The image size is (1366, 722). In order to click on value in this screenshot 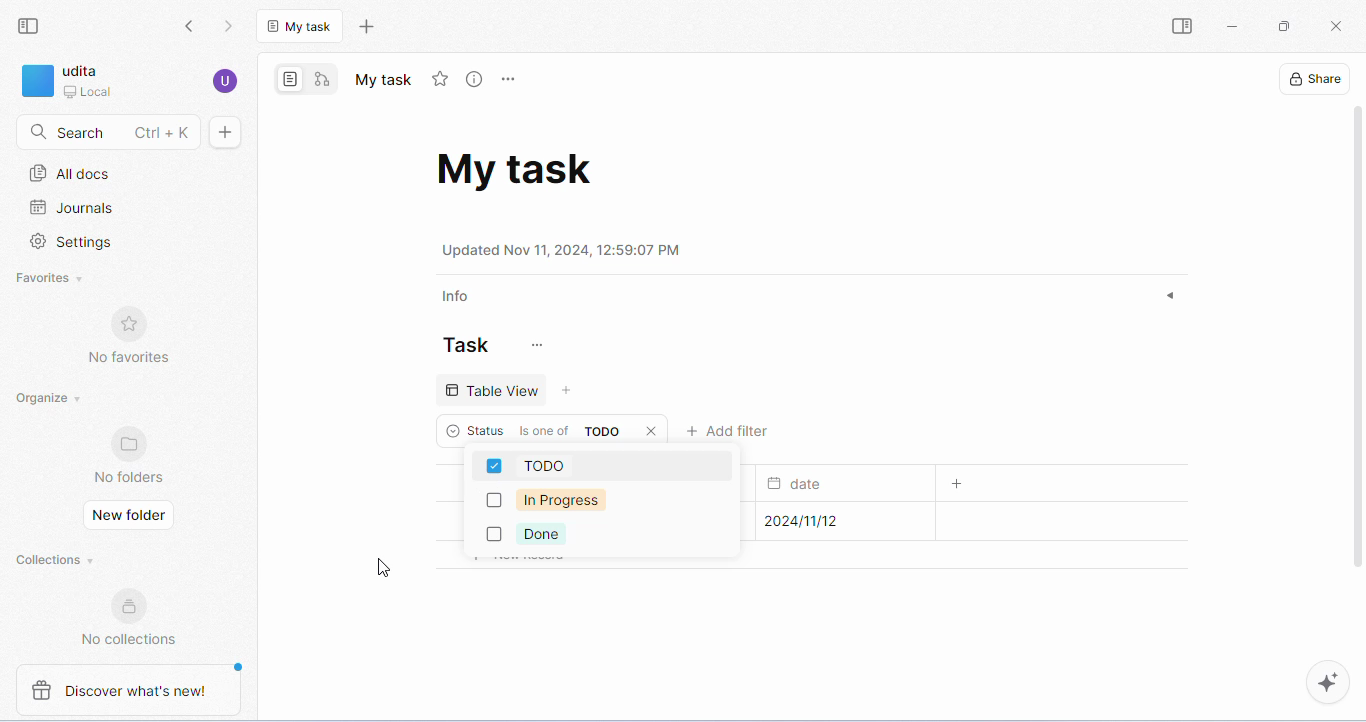, I will do `click(601, 431)`.